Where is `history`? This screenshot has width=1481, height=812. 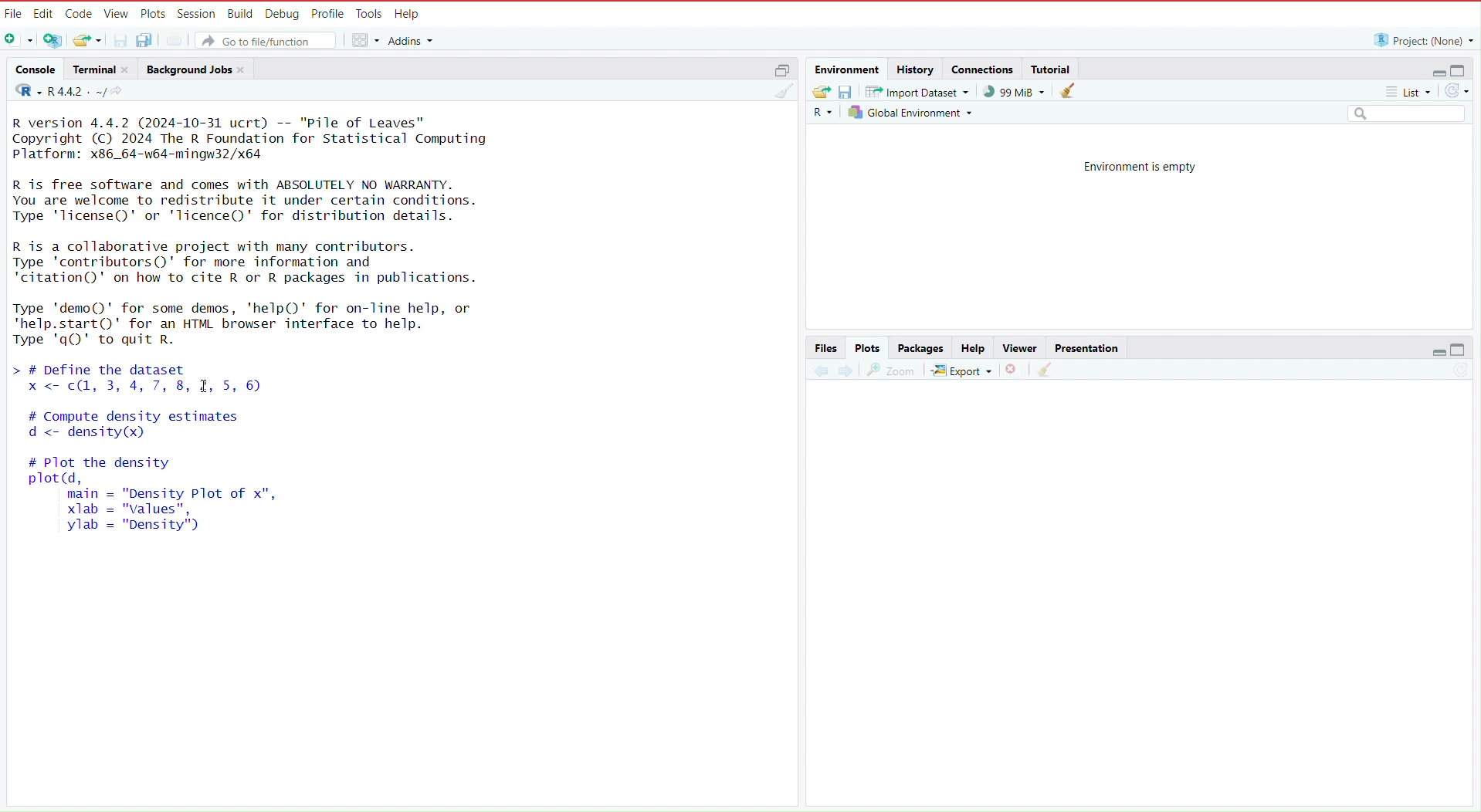
history is located at coordinates (915, 69).